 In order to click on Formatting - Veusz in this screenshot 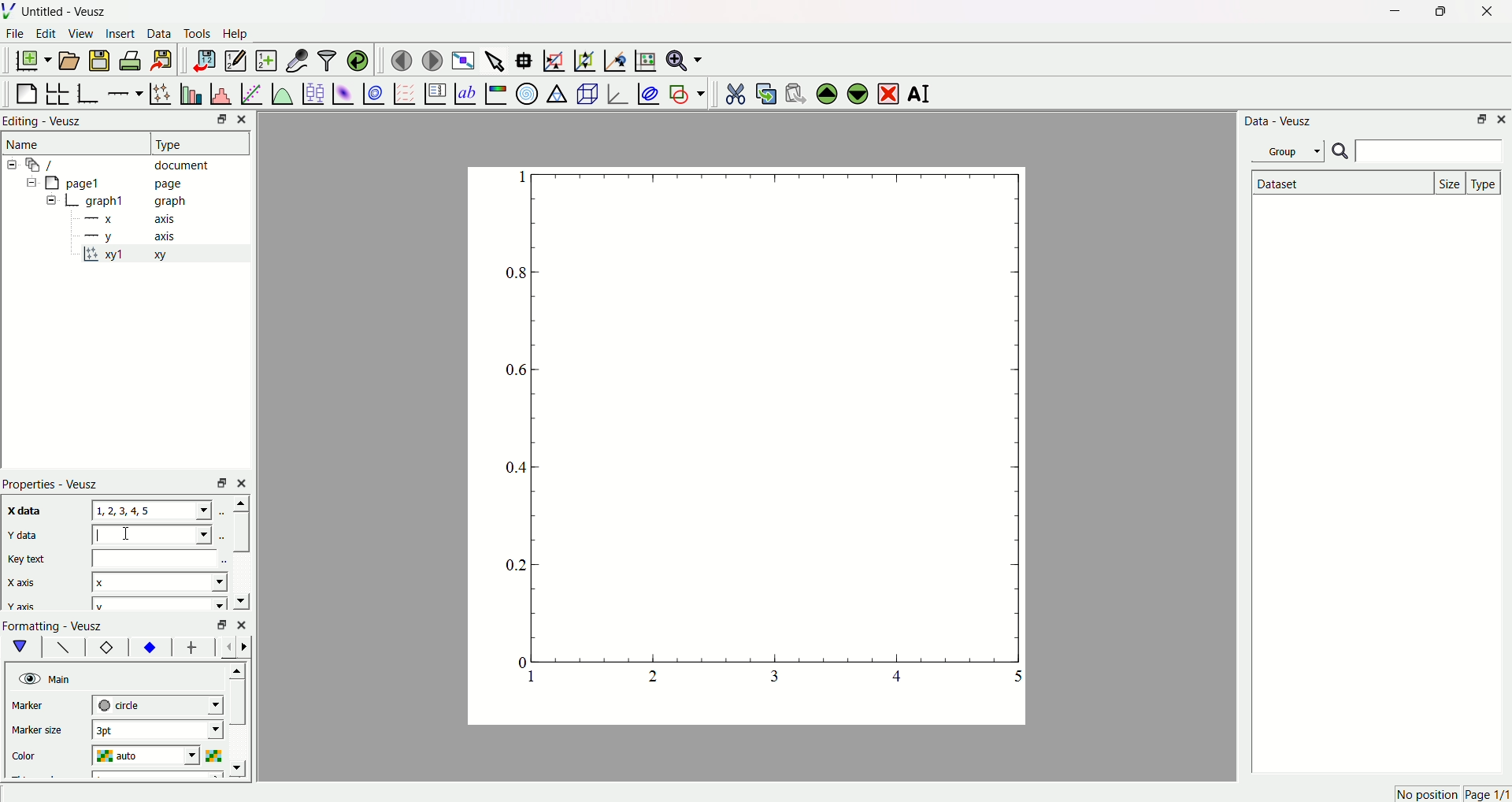, I will do `click(61, 626)`.